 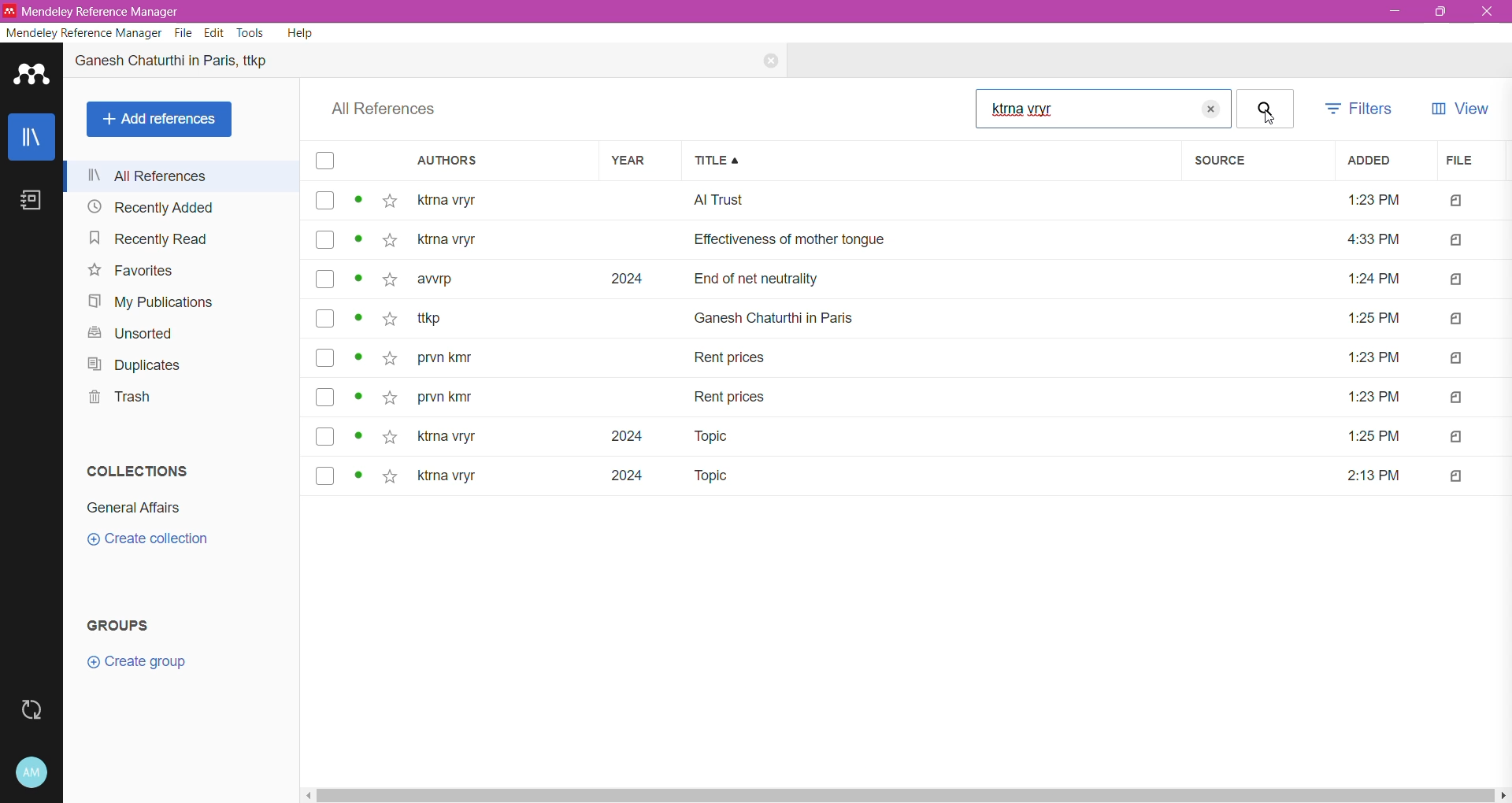 I want to click on file type, so click(x=1458, y=436).